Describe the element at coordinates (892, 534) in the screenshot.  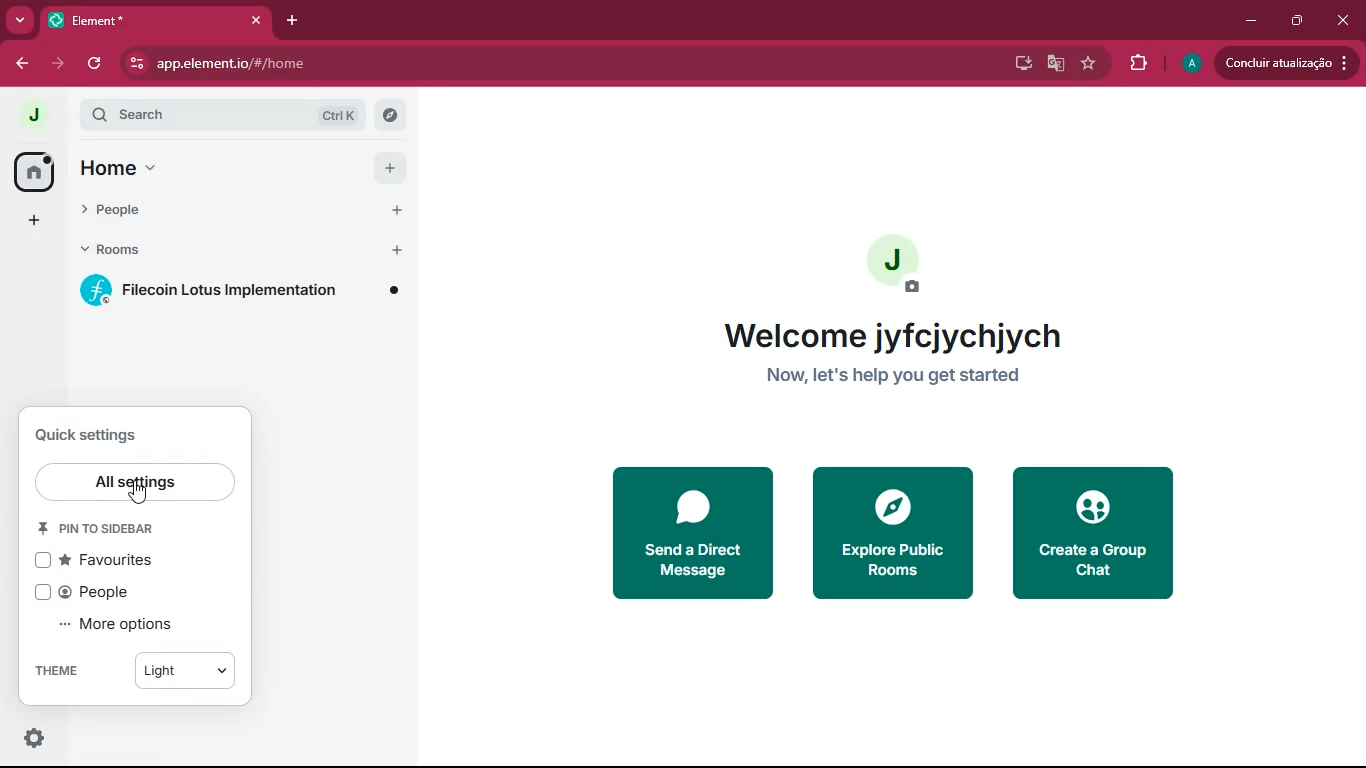
I see `explore public rooms` at that location.